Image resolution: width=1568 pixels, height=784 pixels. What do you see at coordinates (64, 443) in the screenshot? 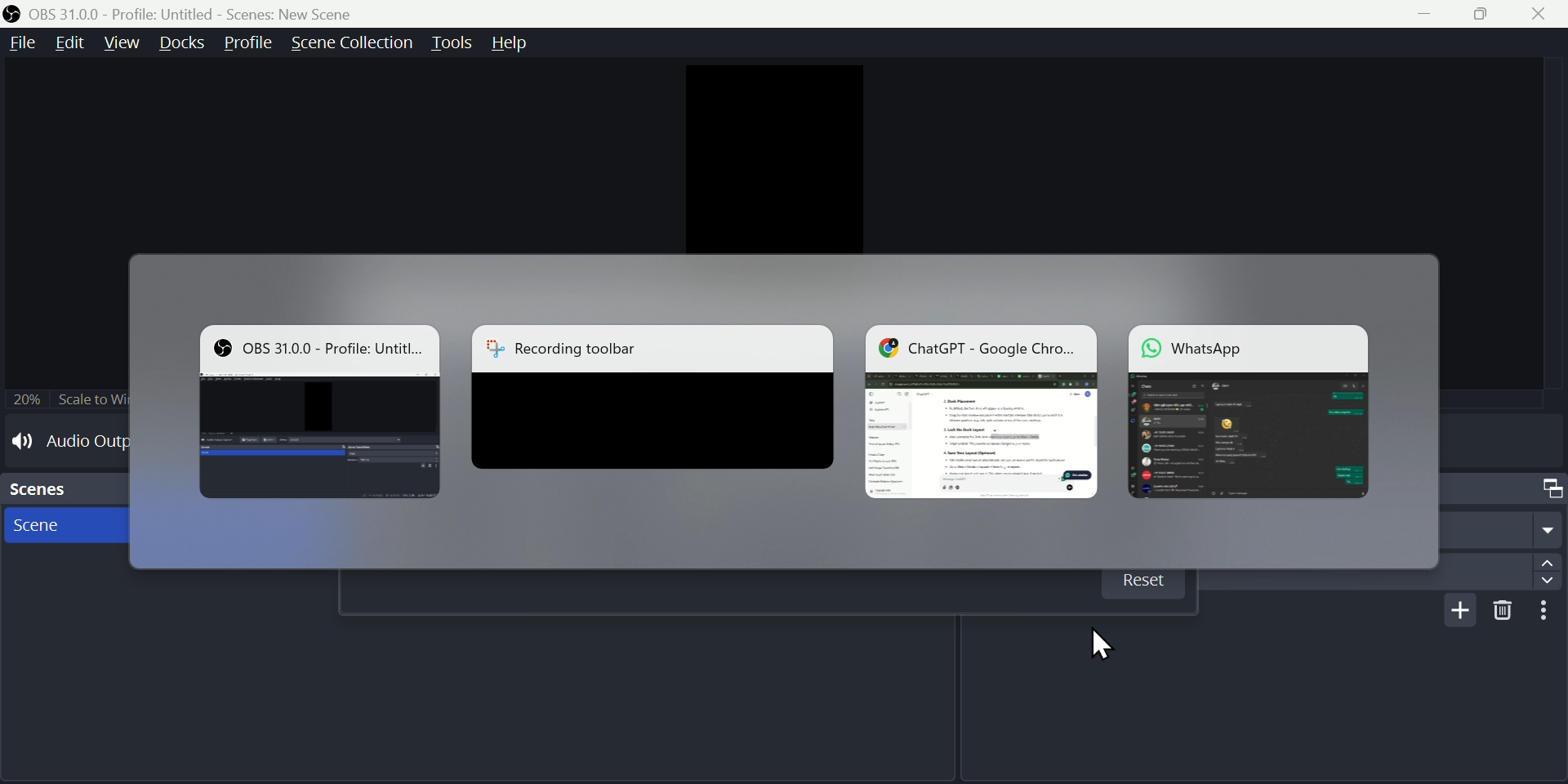
I see `Audio Output Capture` at bounding box center [64, 443].